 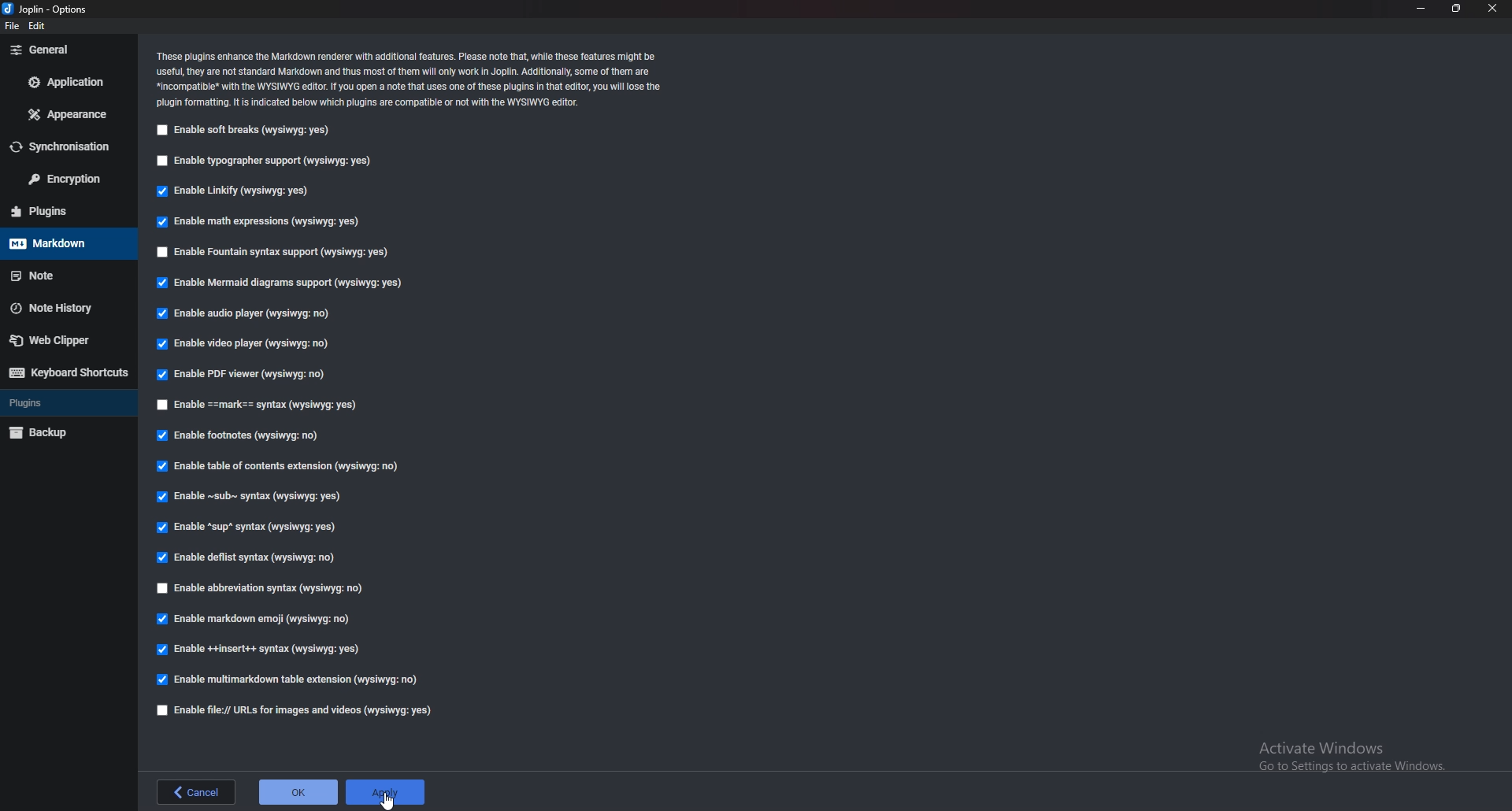 I want to click on back, so click(x=195, y=791).